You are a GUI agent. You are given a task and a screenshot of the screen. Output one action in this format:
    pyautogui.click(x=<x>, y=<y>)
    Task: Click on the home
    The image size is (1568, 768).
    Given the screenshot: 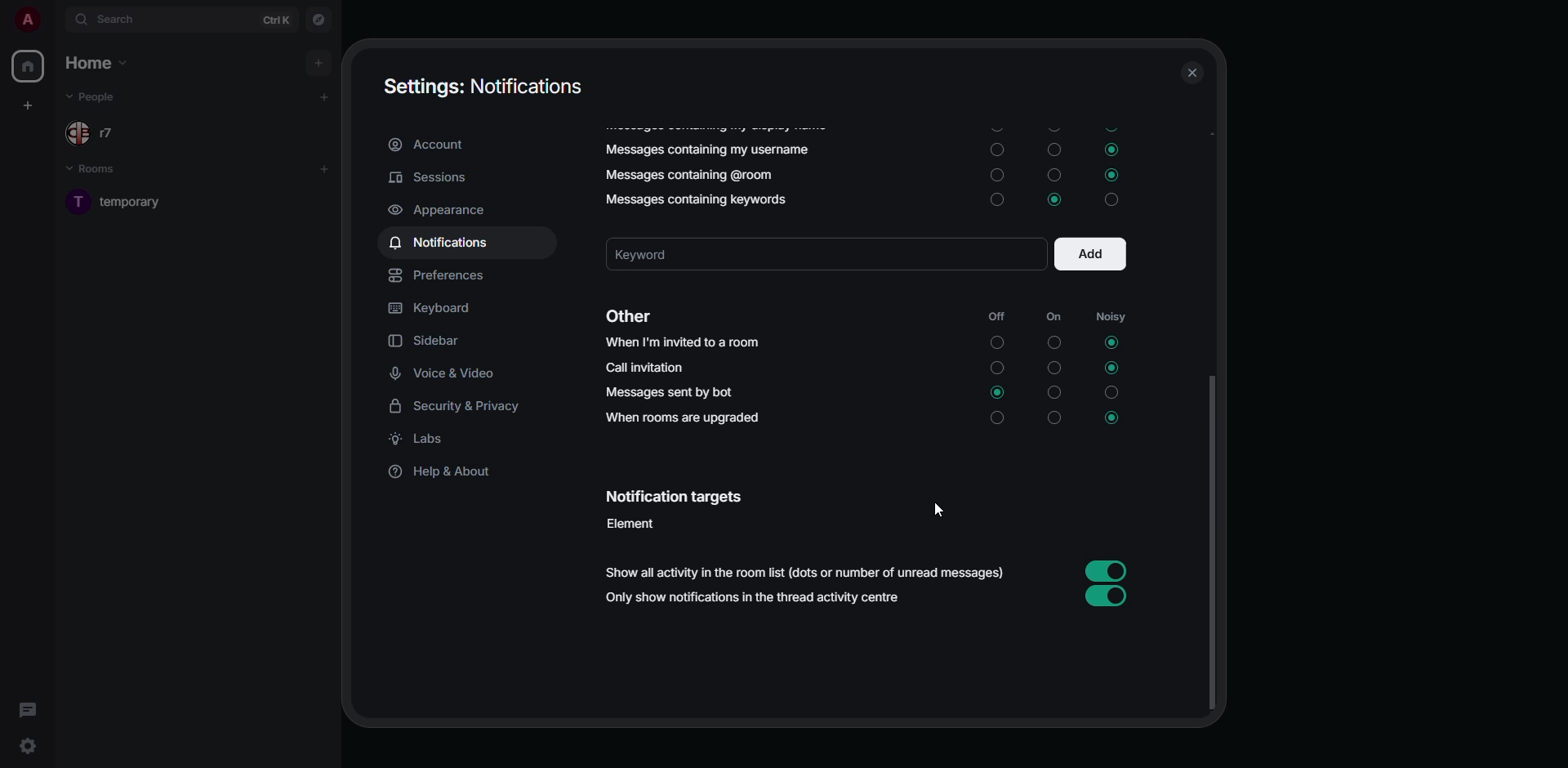 What is the action you would take?
    pyautogui.click(x=101, y=63)
    